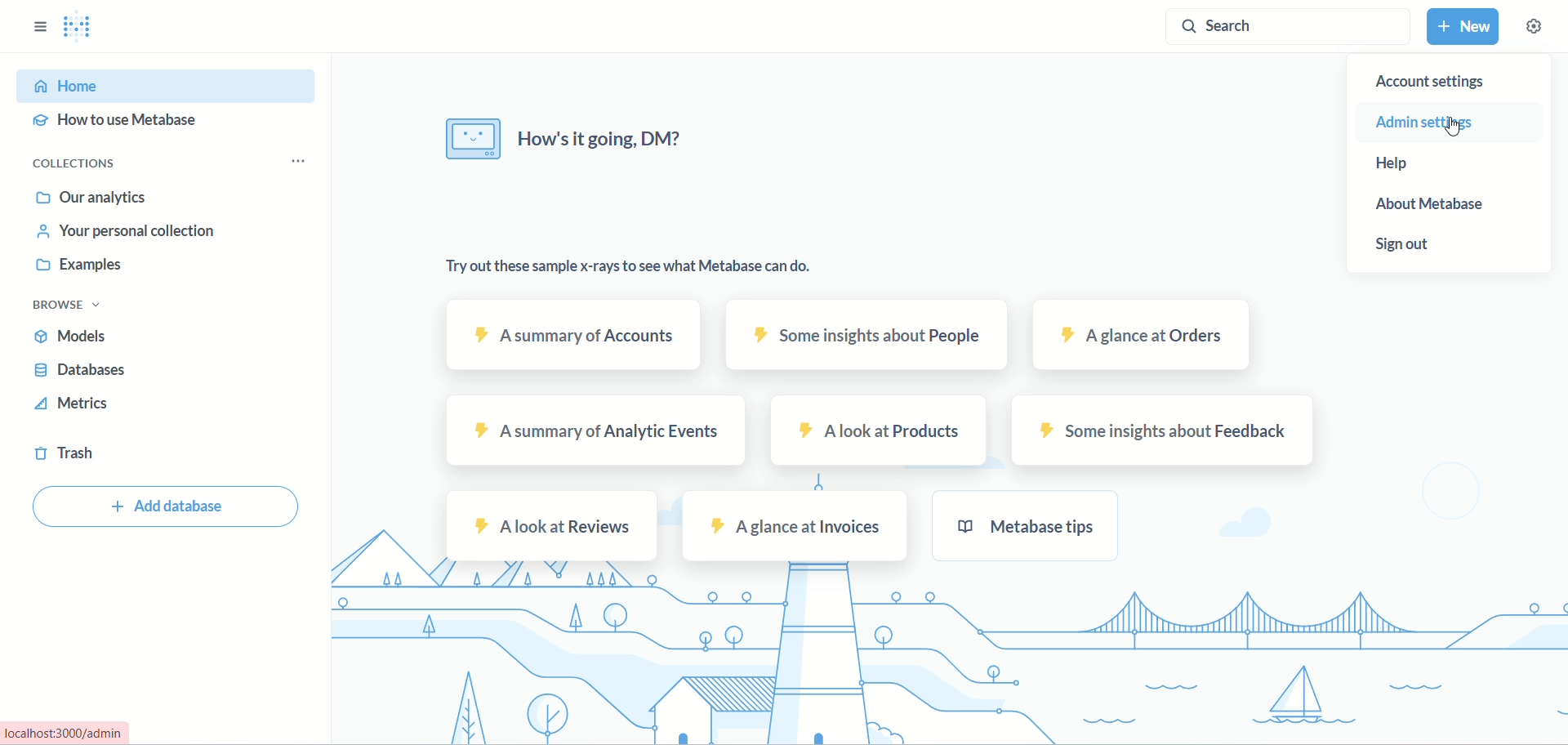  Describe the element at coordinates (798, 525) in the screenshot. I see `invoices` at that location.